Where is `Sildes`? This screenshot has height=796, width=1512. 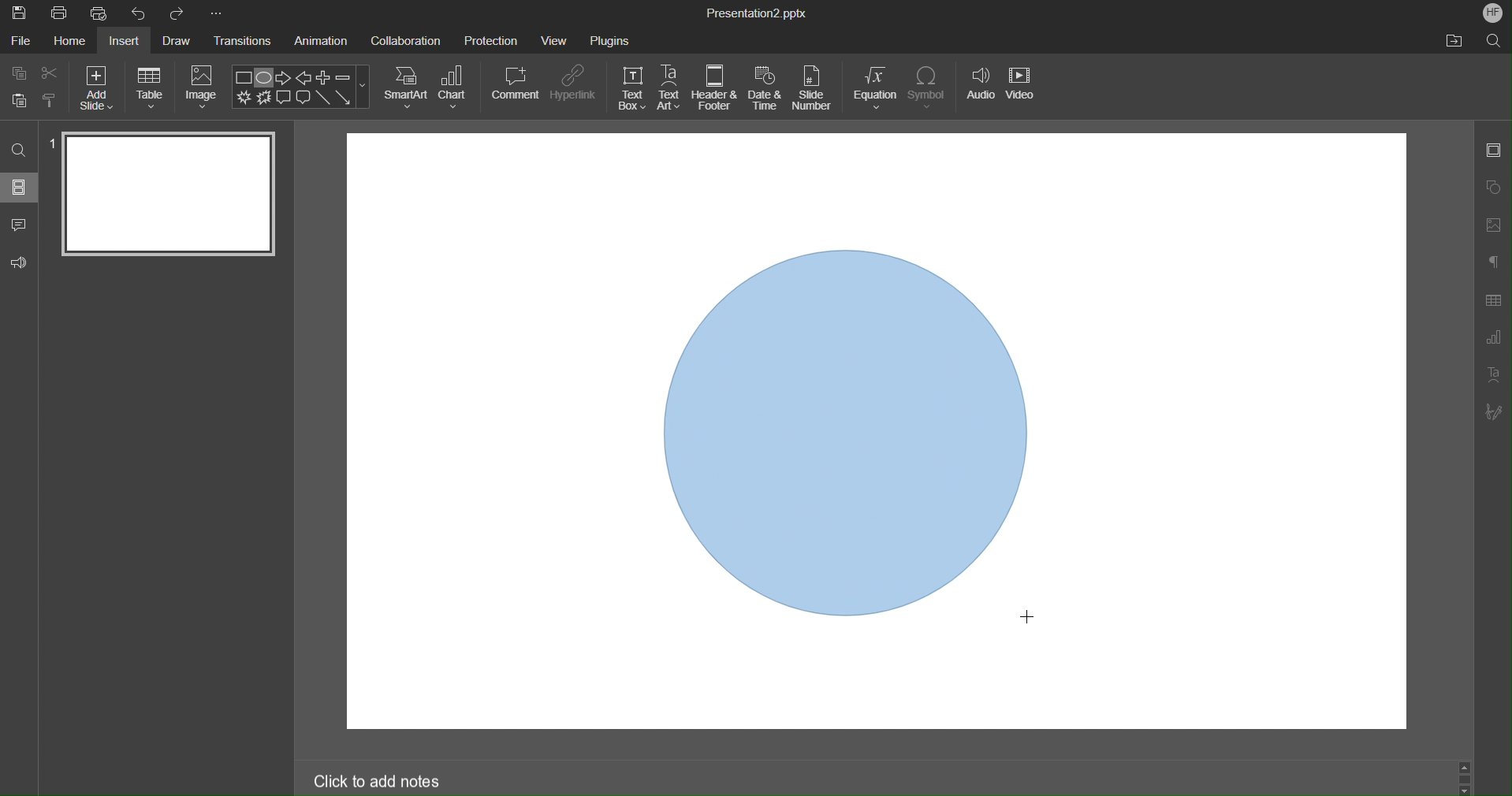 Sildes is located at coordinates (20, 187).